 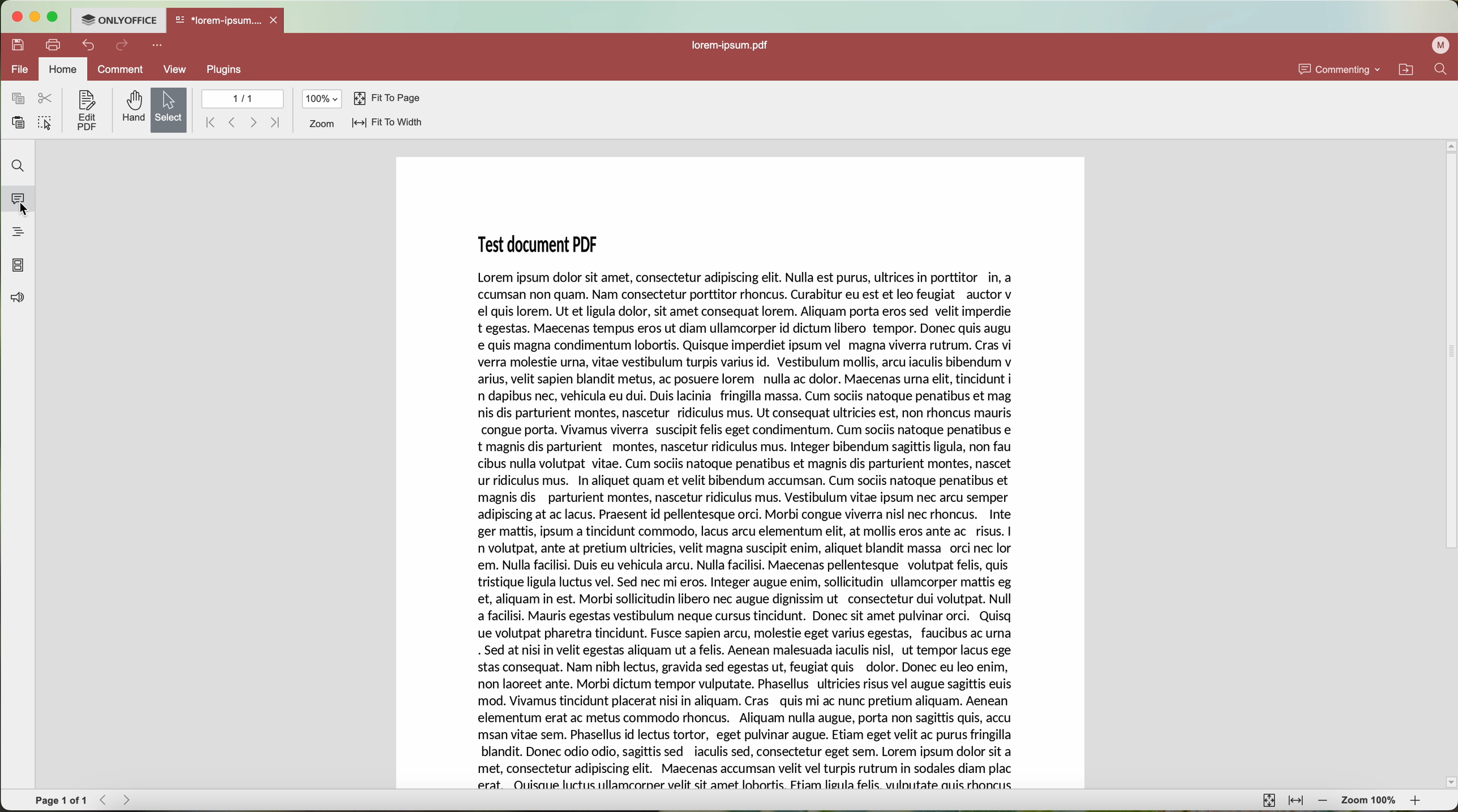 What do you see at coordinates (734, 46) in the screenshot?
I see `file name` at bounding box center [734, 46].